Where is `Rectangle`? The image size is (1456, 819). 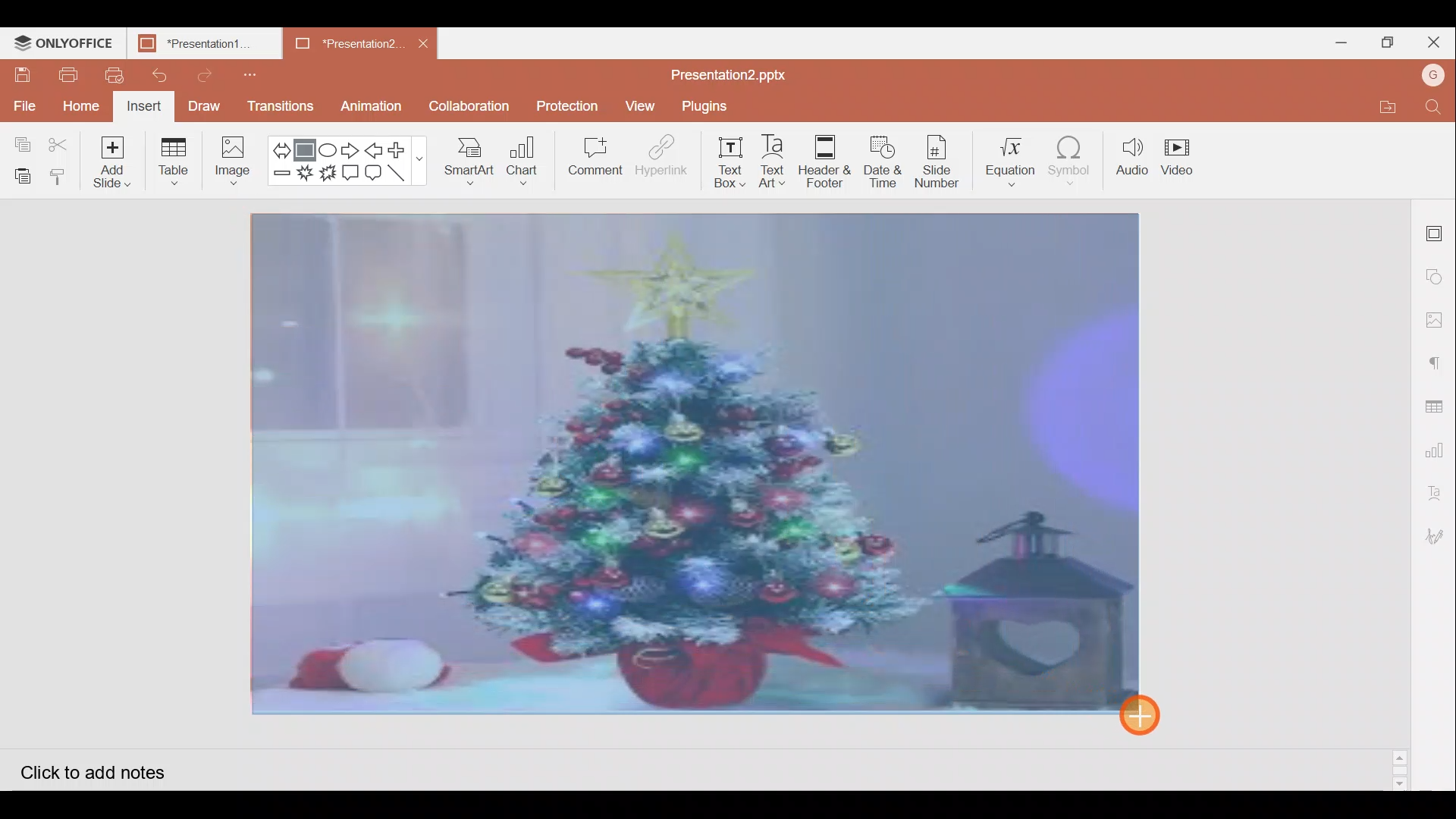 Rectangle is located at coordinates (306, 146).